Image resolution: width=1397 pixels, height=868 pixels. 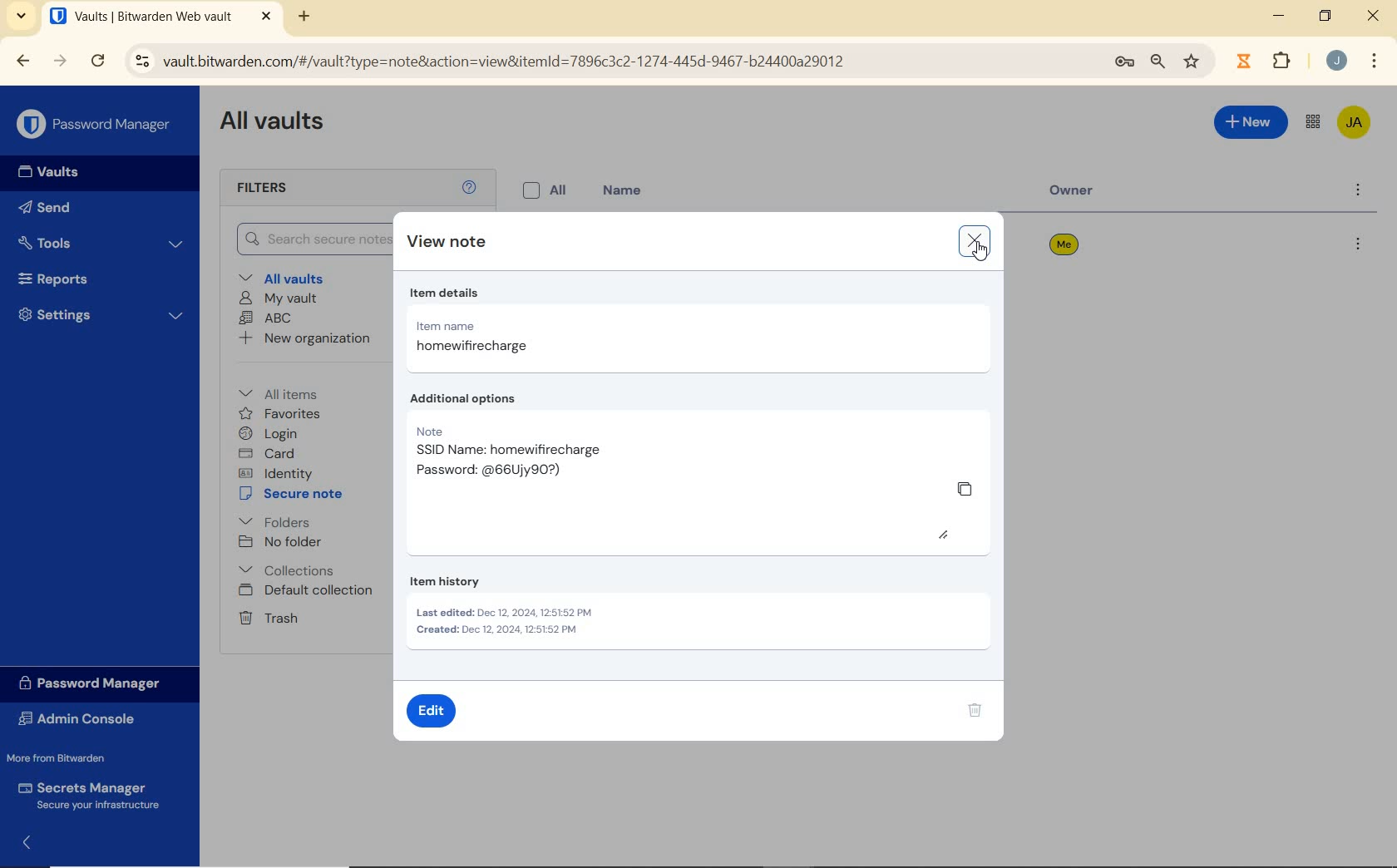 I want to click on item details, so click(x=451, y=293).